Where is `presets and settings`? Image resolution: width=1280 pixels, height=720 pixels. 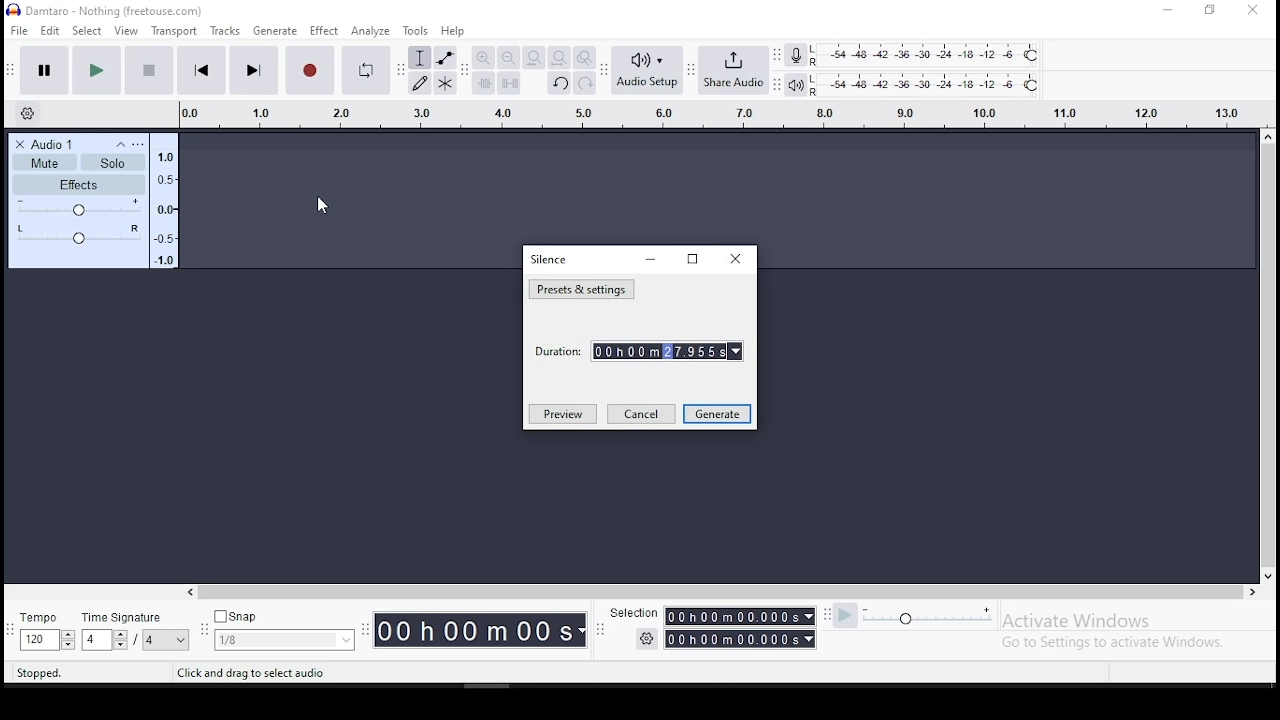
presets and settings is located at coordinates (582, 290).